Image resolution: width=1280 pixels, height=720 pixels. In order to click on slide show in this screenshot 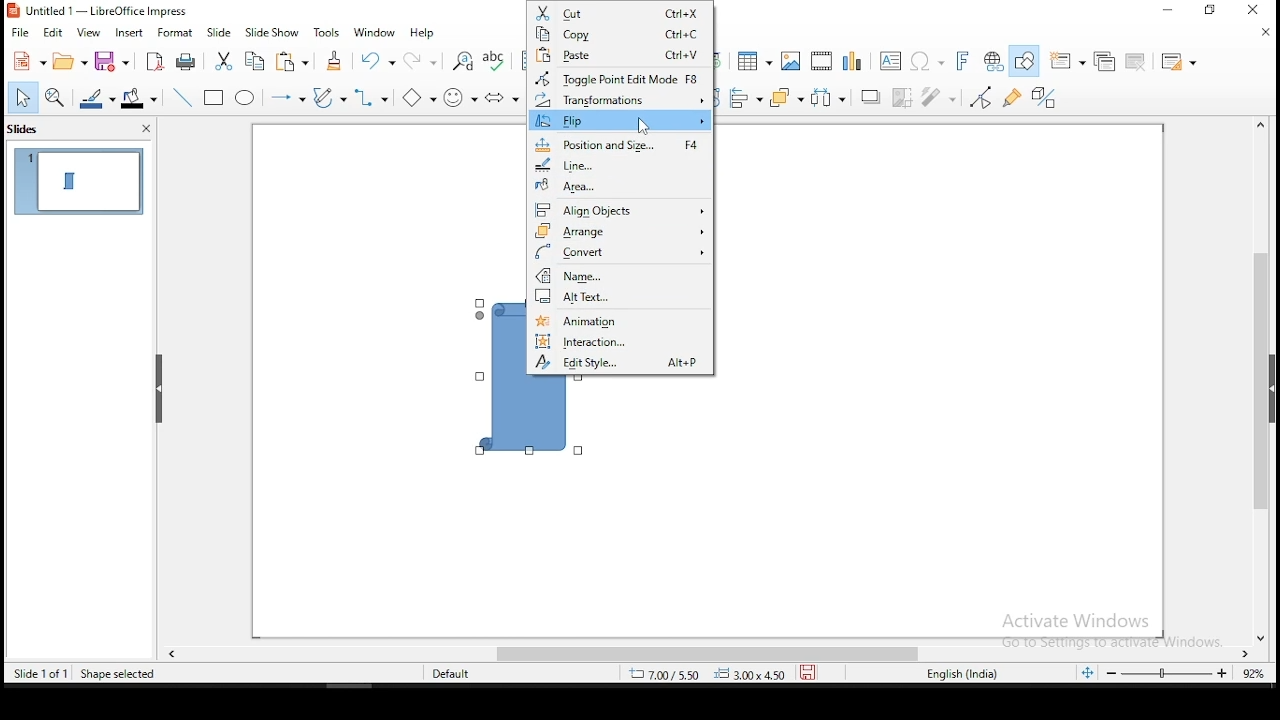, I will do `click(274, 34)`.